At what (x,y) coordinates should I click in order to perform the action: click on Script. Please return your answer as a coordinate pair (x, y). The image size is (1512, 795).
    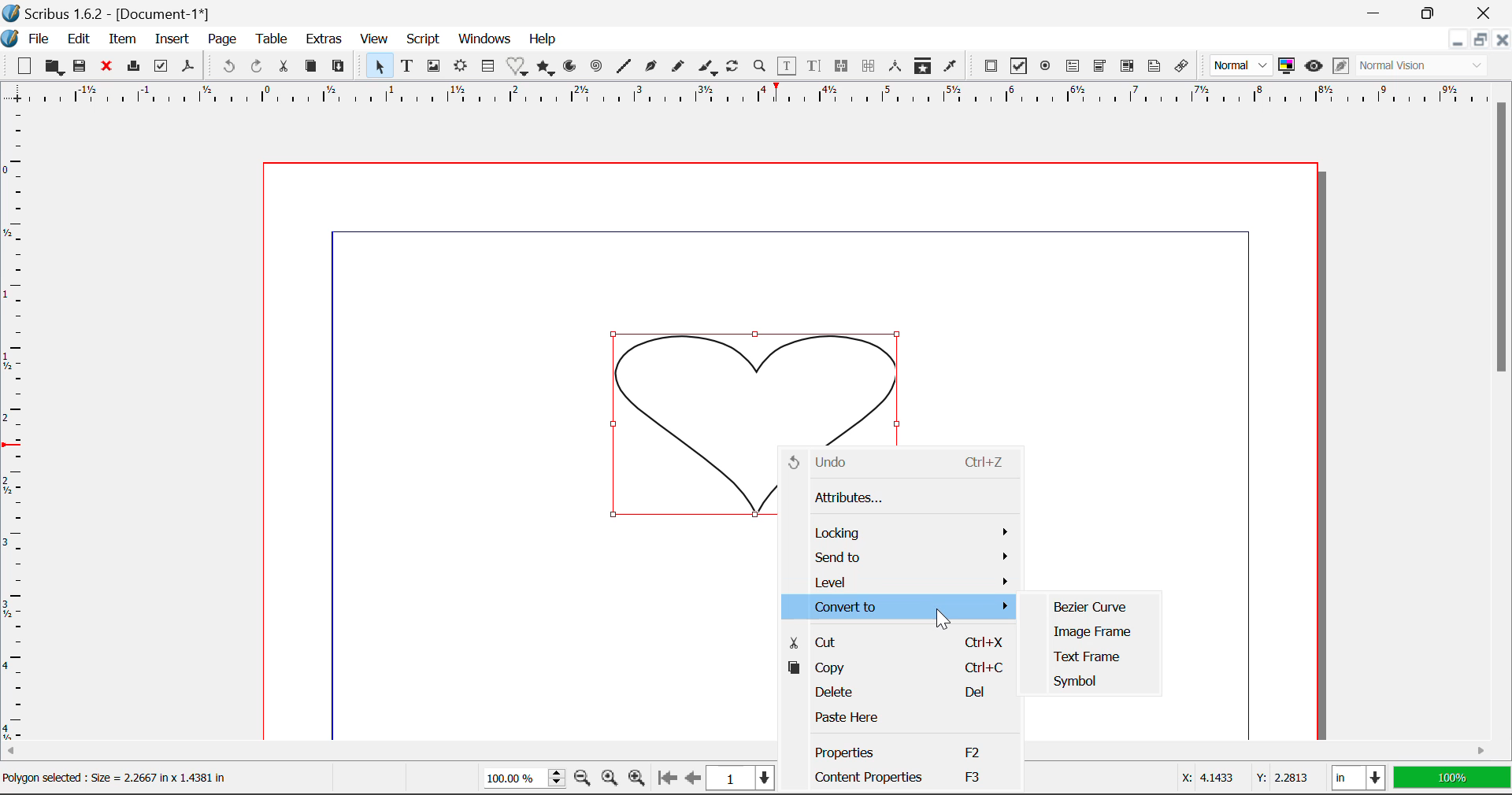
    Looking at the image, I should click on (422, 41).